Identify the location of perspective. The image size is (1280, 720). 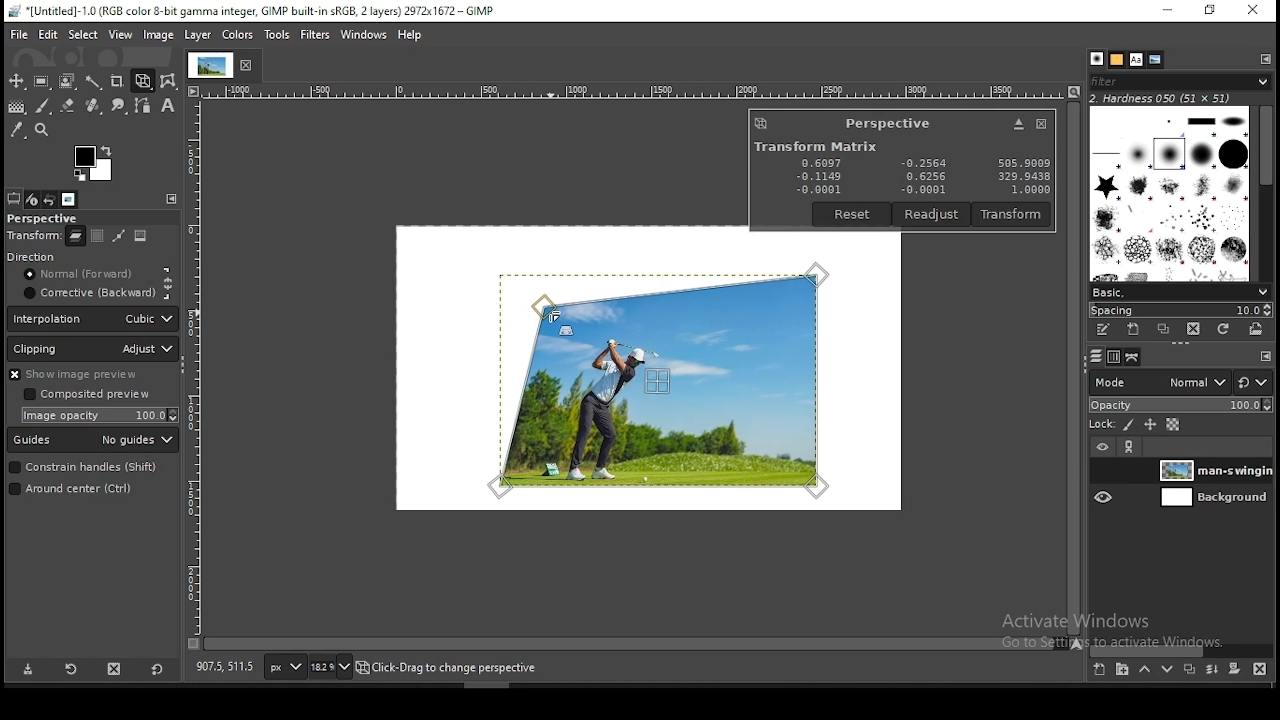
(59, 218).